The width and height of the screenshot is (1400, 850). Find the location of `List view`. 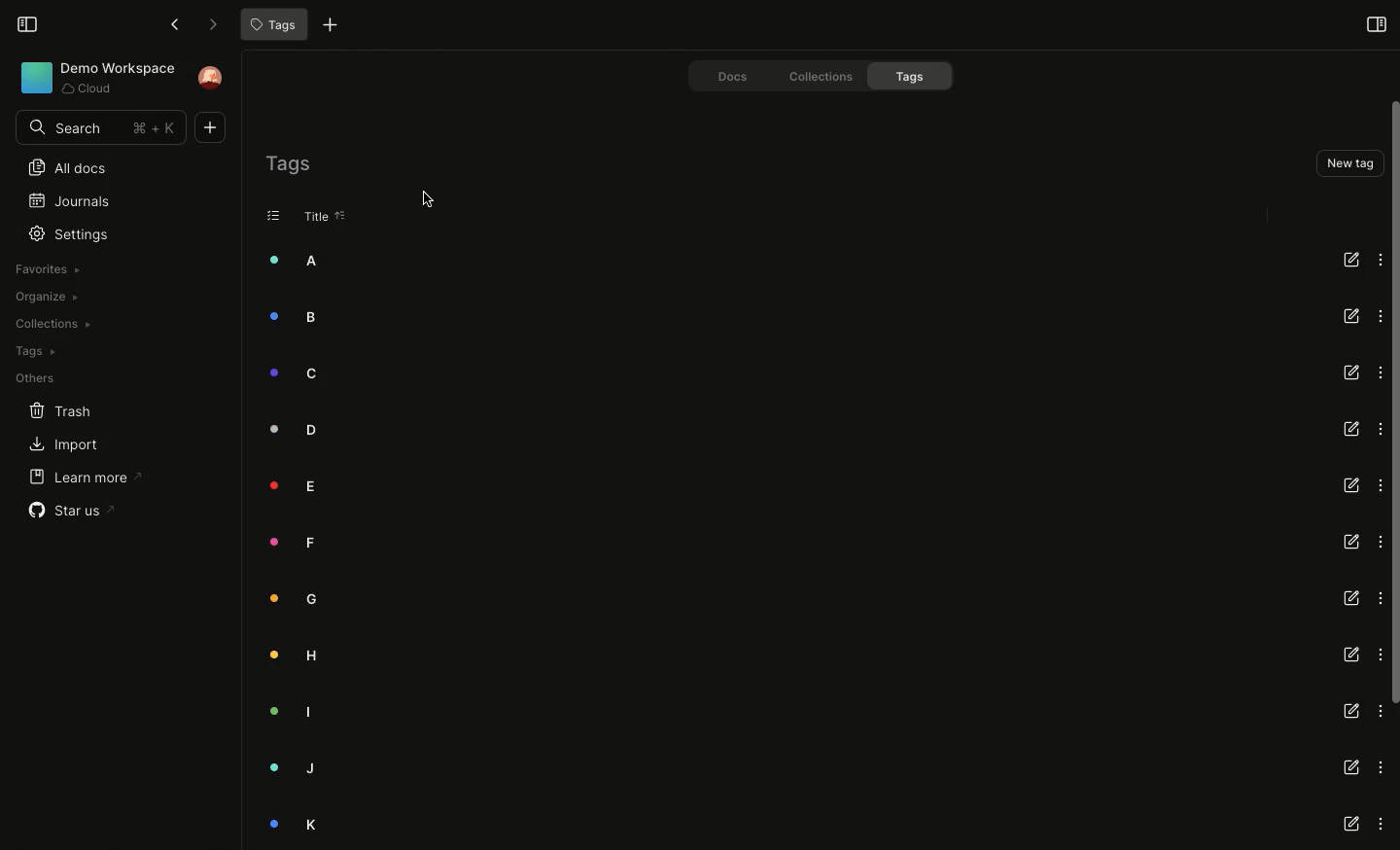

List view is located at coordinates (274, 215).